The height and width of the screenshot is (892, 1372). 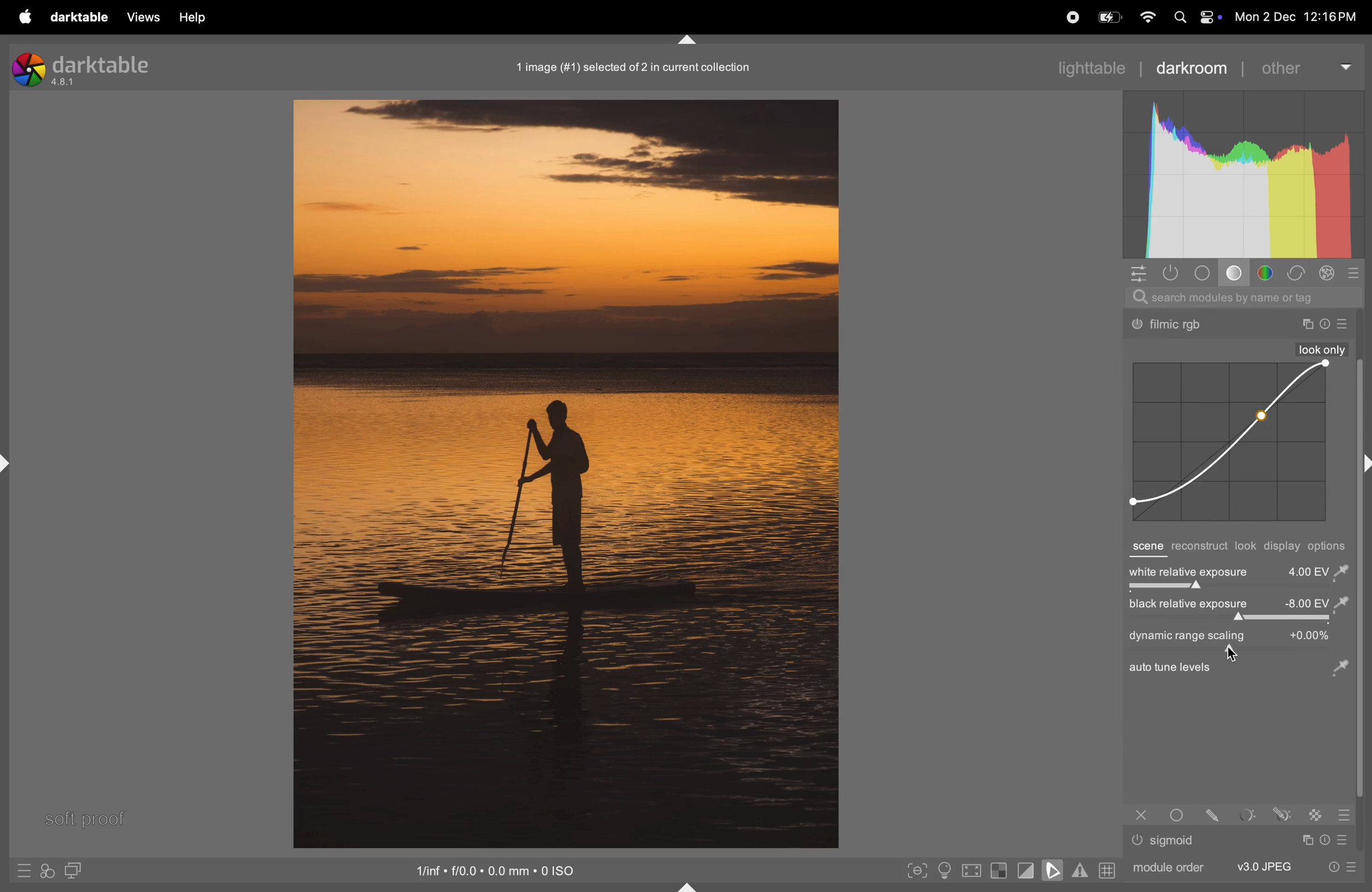 What do you see at coordinates (1355, 273) in the screenshot?
I see `presets` at bounding box center [1355, 273].